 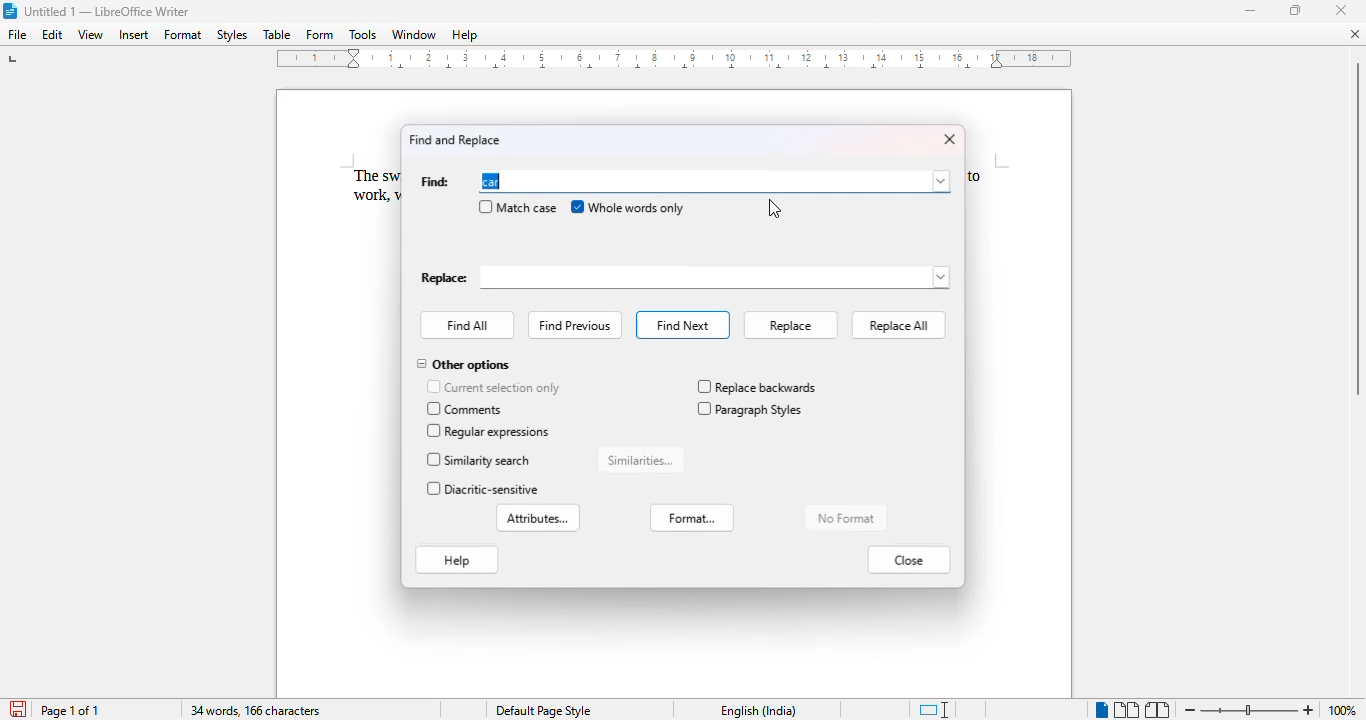 What do you see at coordinates (9, 10) in the screenshot?
I see `LibreOffice logo` at bounding box center [9, 10].